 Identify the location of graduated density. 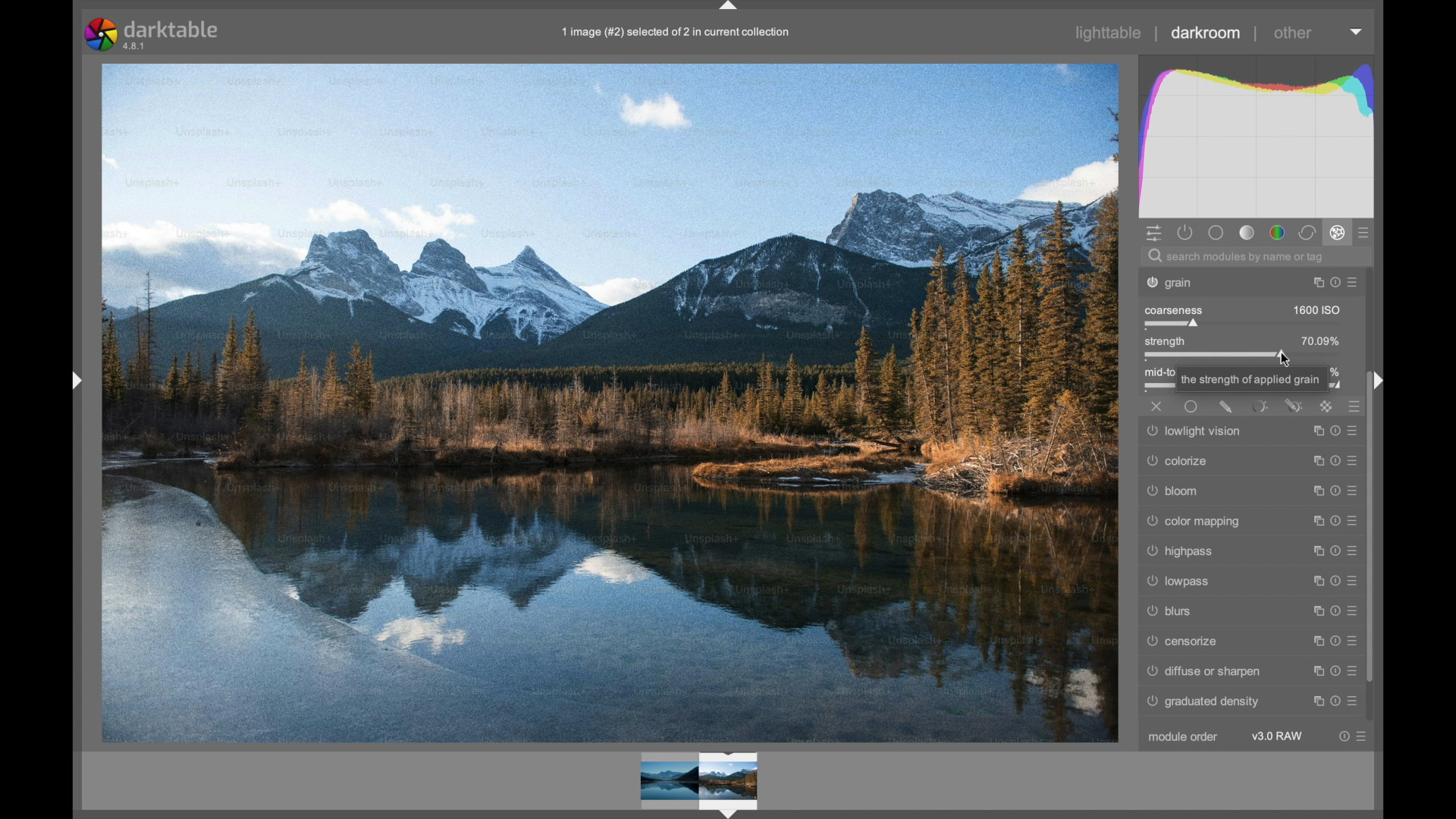
(1205, 702).